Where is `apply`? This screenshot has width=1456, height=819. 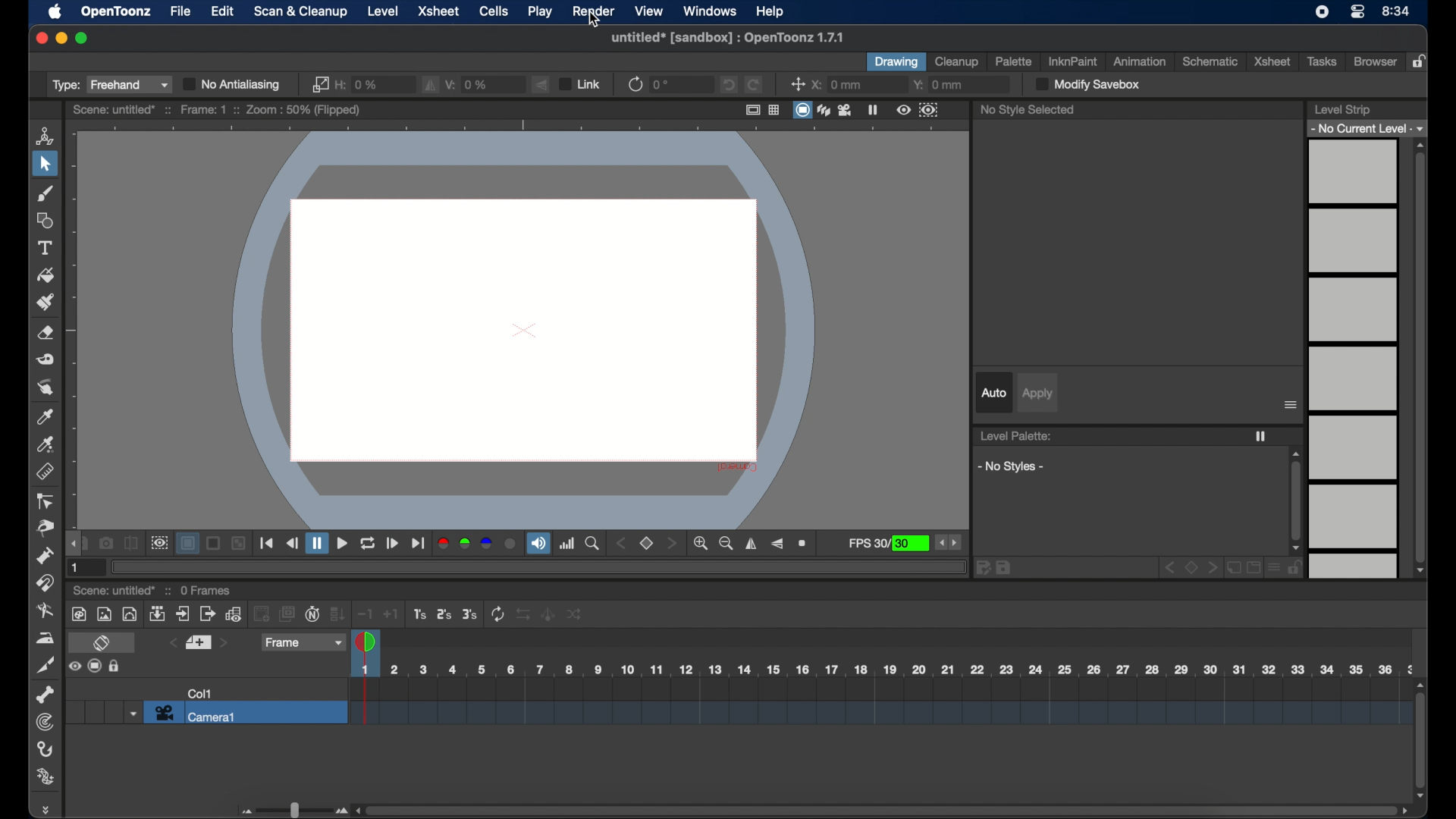 apply is located at coordinates (1038, 394).